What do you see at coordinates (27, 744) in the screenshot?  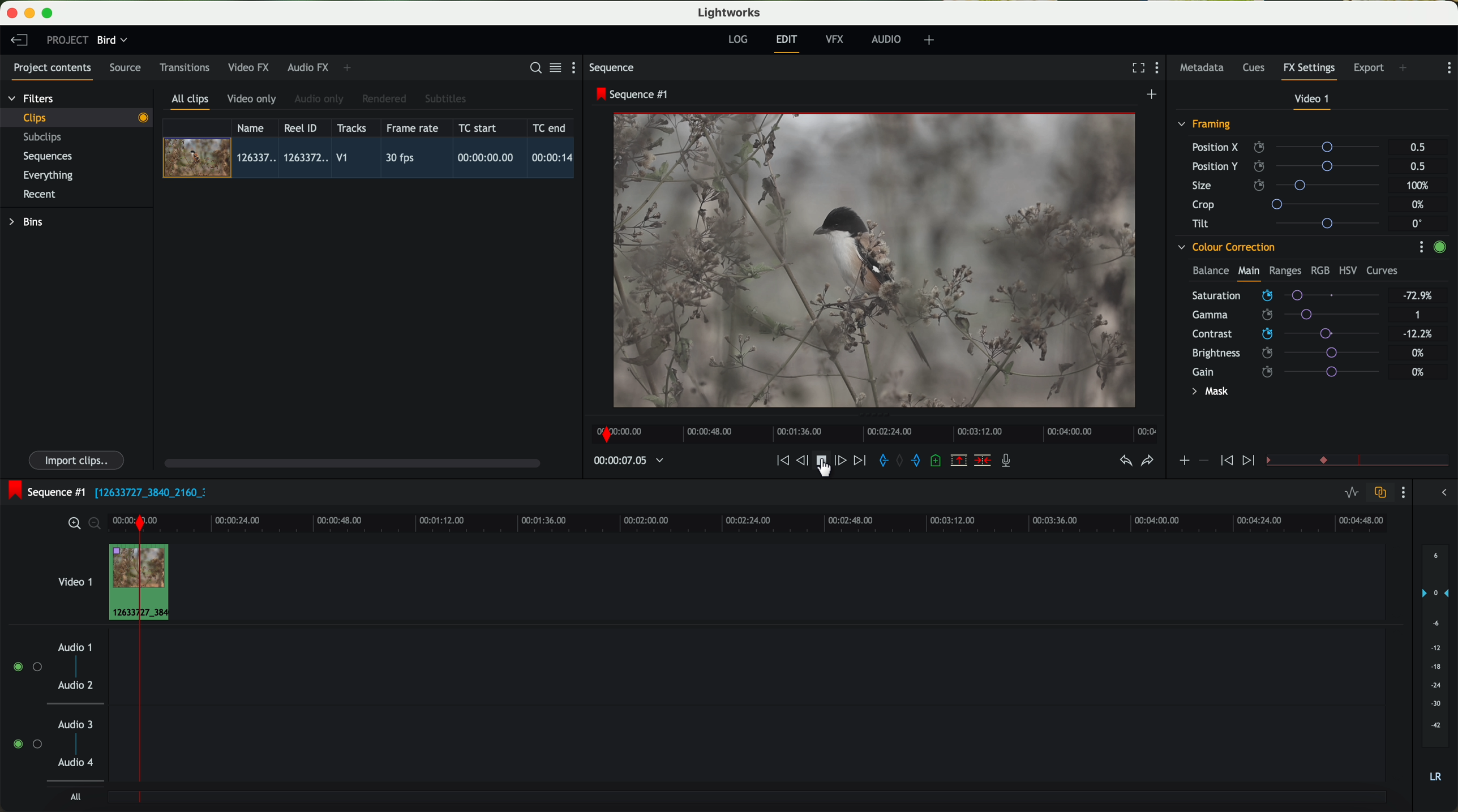 I see `enable audio` at bounding box center [27, 744].